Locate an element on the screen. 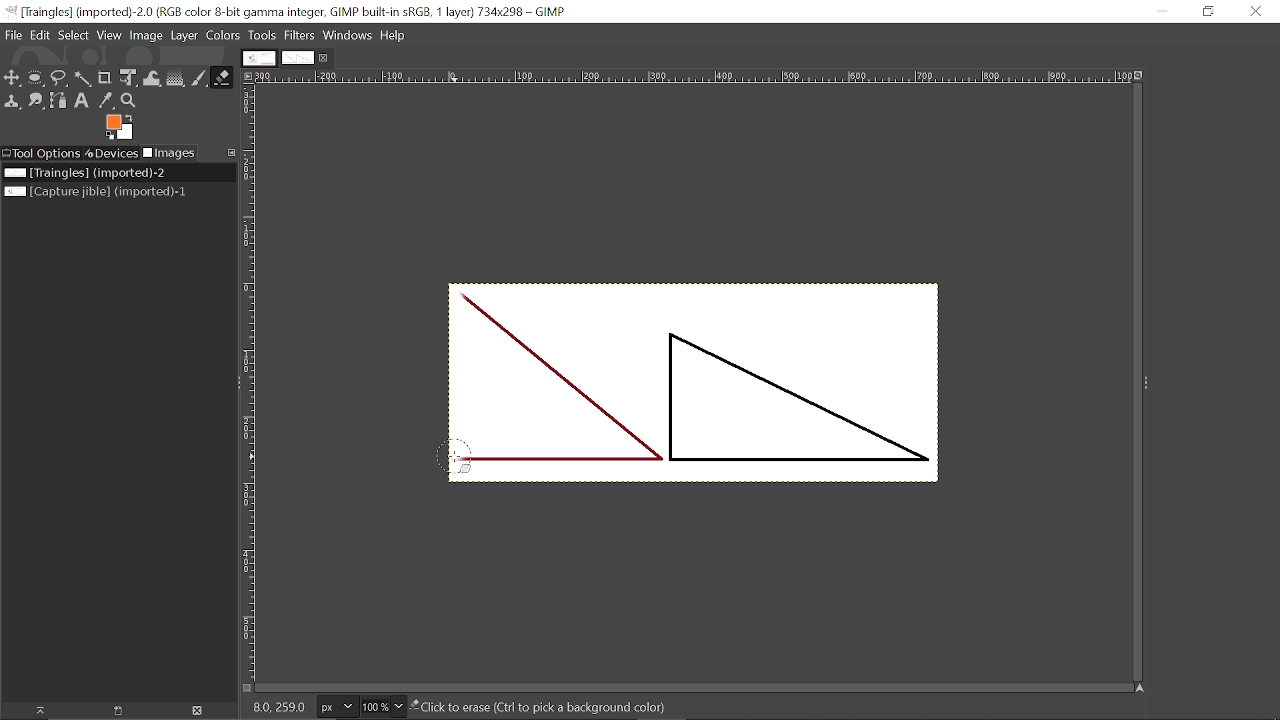 This screenshot has height=720, width=1280. Move tool is located at coordinates (13, 78).